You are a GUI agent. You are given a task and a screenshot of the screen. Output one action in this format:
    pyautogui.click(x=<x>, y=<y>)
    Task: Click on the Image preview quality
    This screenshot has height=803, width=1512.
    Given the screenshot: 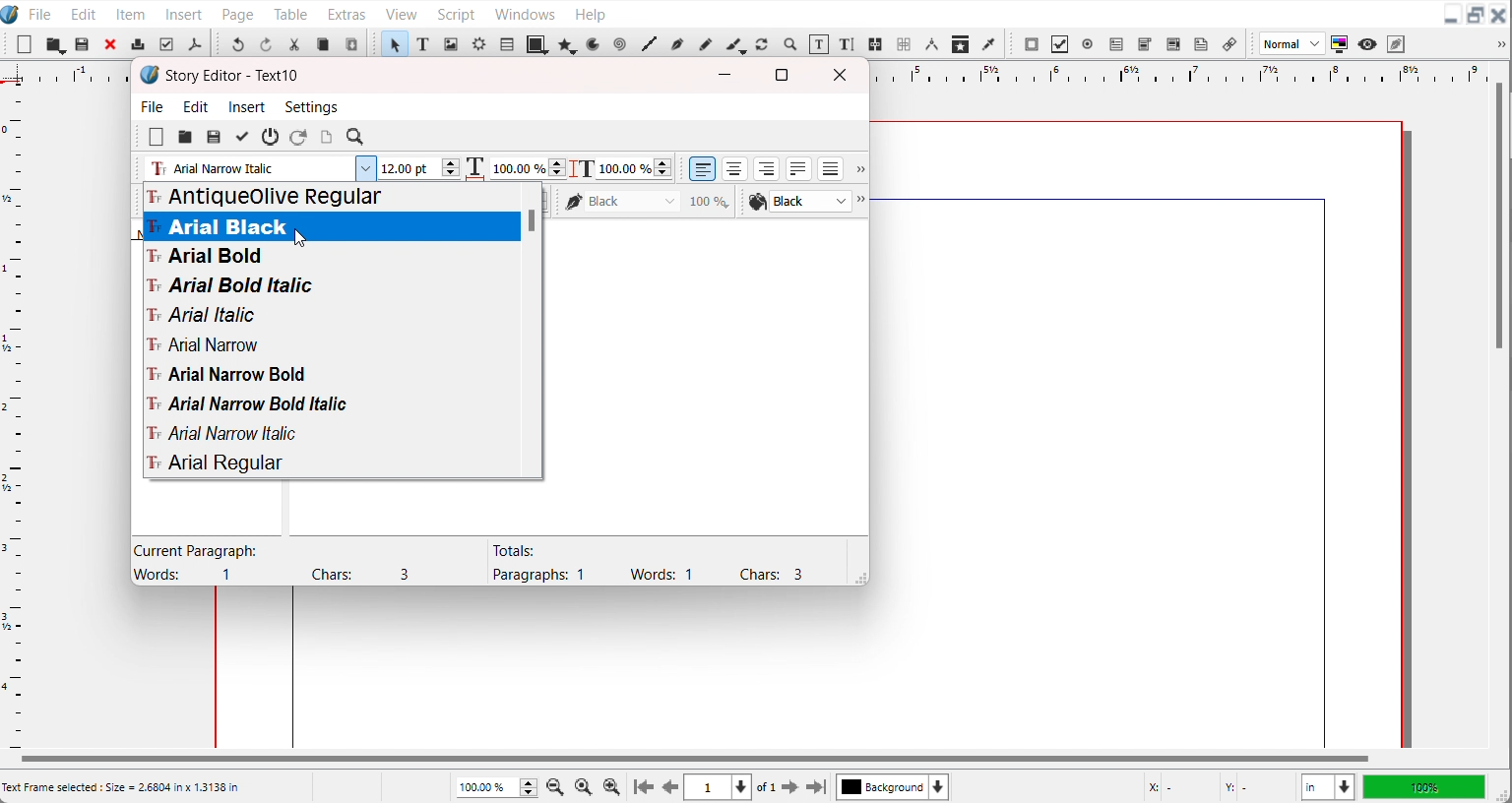 What is the action you would take?
    pyautogui.click(x=1292, y=43)
    